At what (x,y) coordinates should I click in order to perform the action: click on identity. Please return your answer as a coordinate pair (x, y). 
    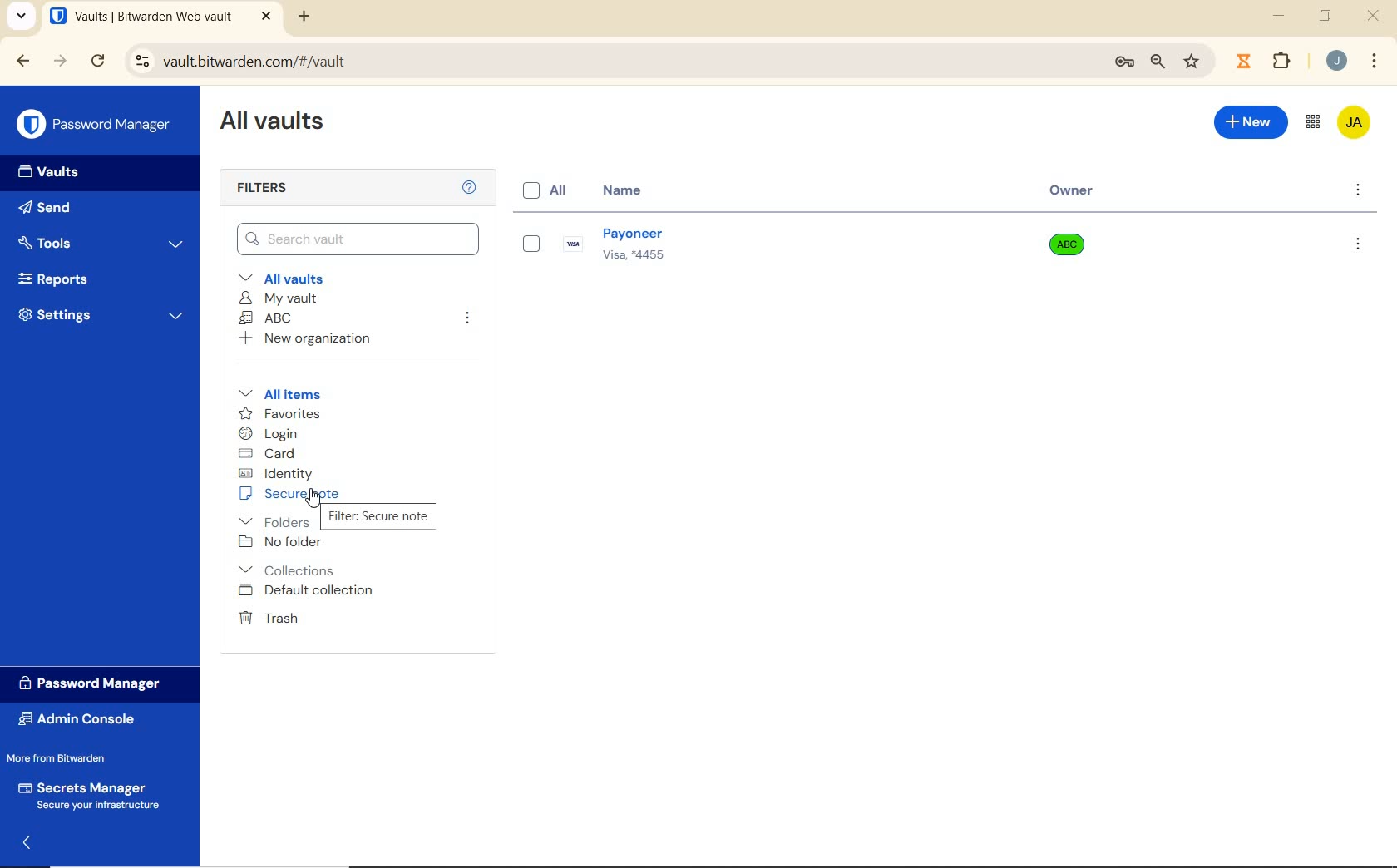
    Looking at the image, I should click on (275, 472).